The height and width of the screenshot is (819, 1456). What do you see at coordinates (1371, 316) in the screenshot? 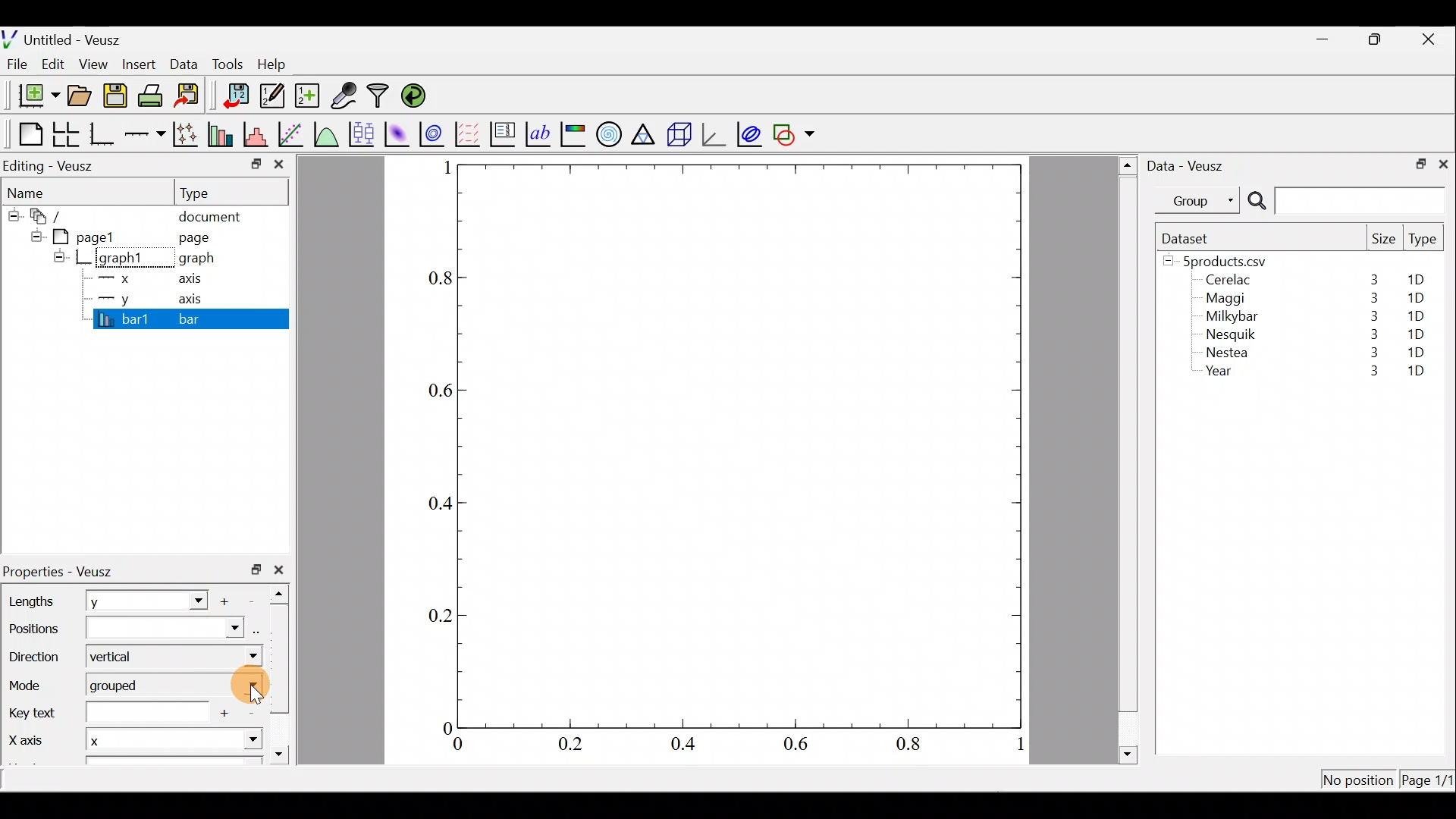
I see `3` at bounding box center [1371, 316].